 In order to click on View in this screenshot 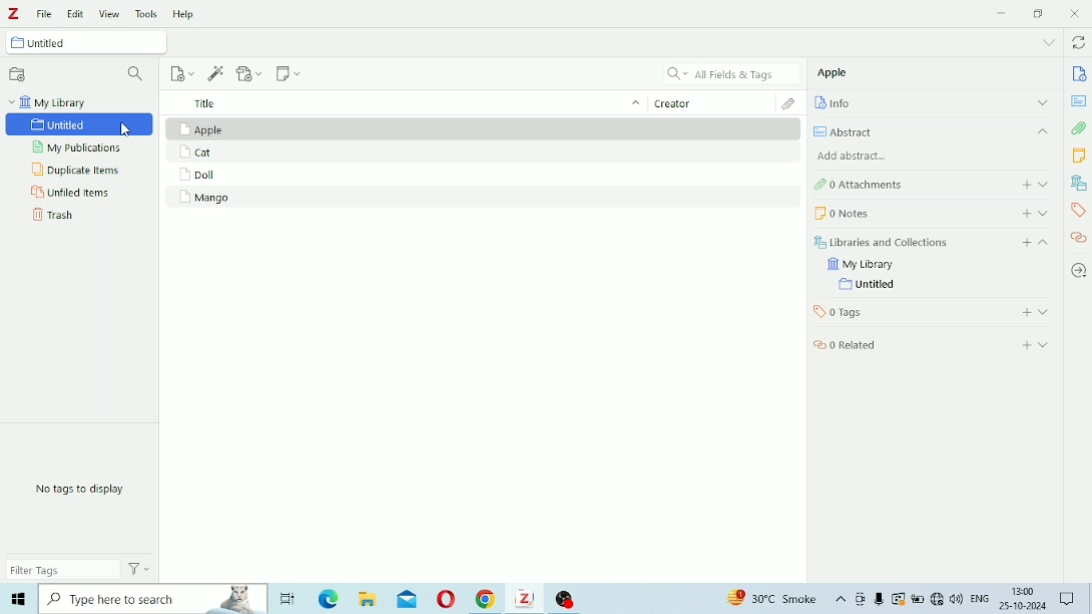, I will do `click(109, 13)`.